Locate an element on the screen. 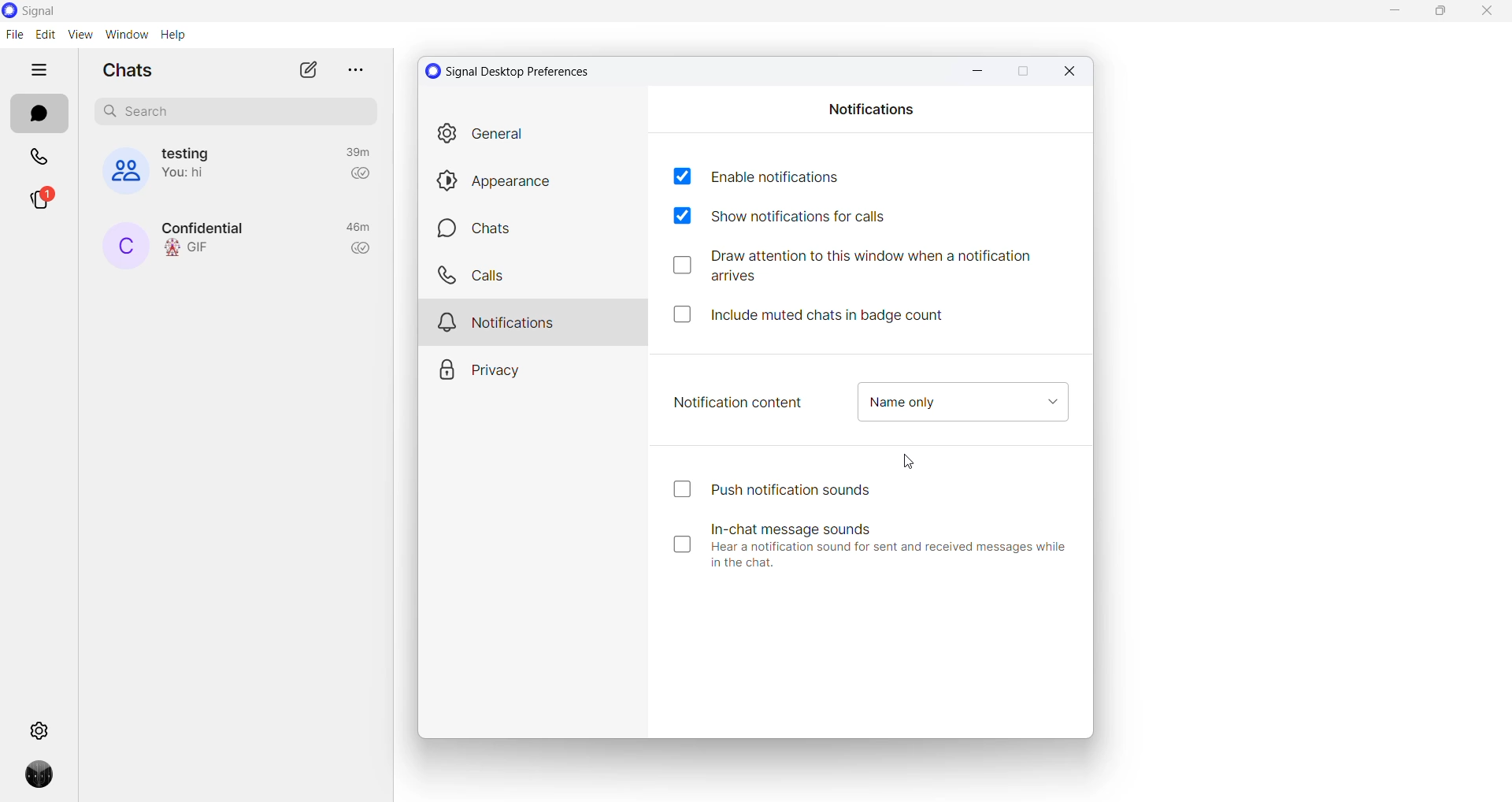 This screenshot has height=802, width=1512. read recipient is located at coordinates (360, 177).